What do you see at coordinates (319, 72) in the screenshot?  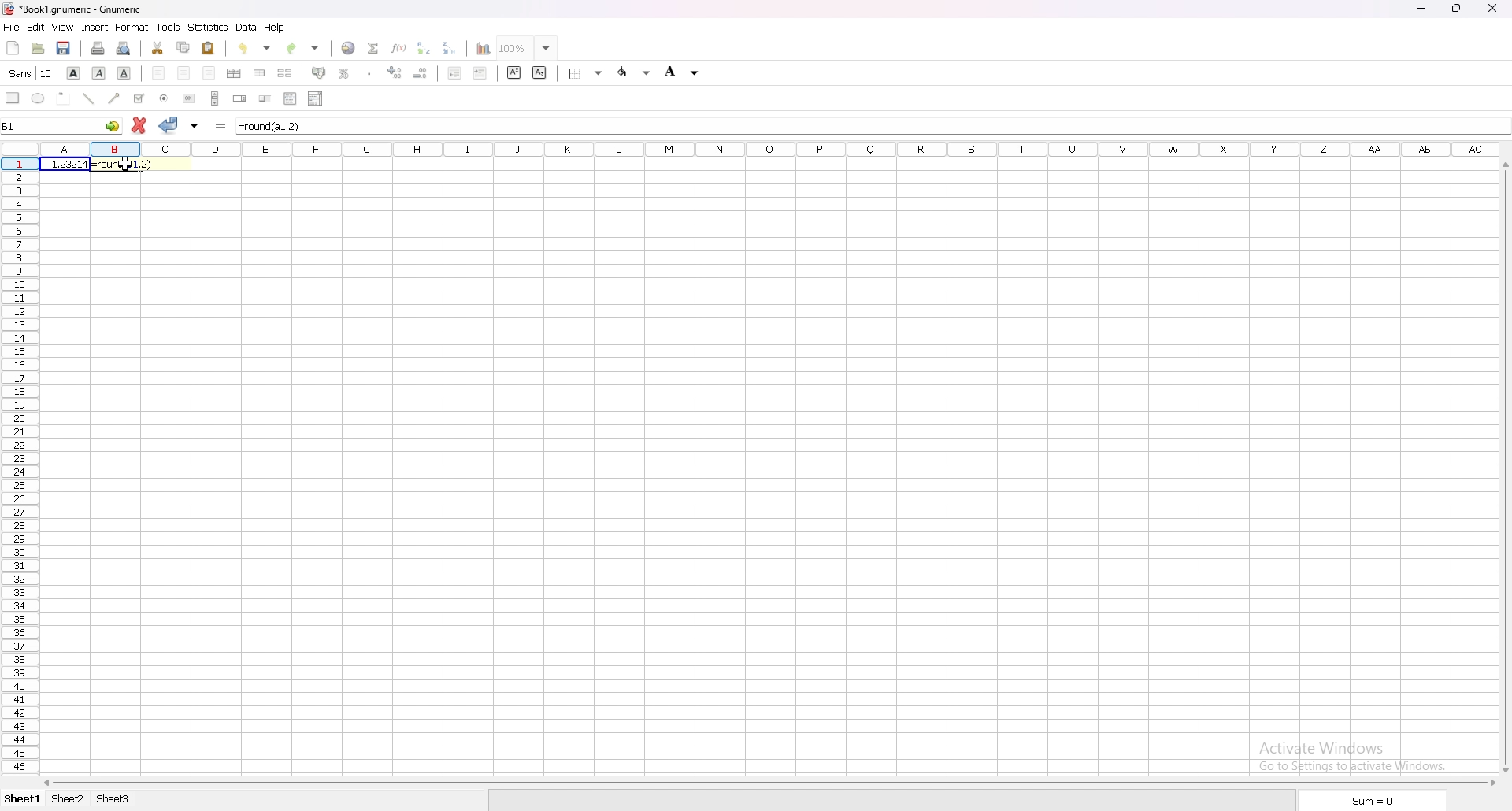 I see `accounting` at bounding box center [319, 72].